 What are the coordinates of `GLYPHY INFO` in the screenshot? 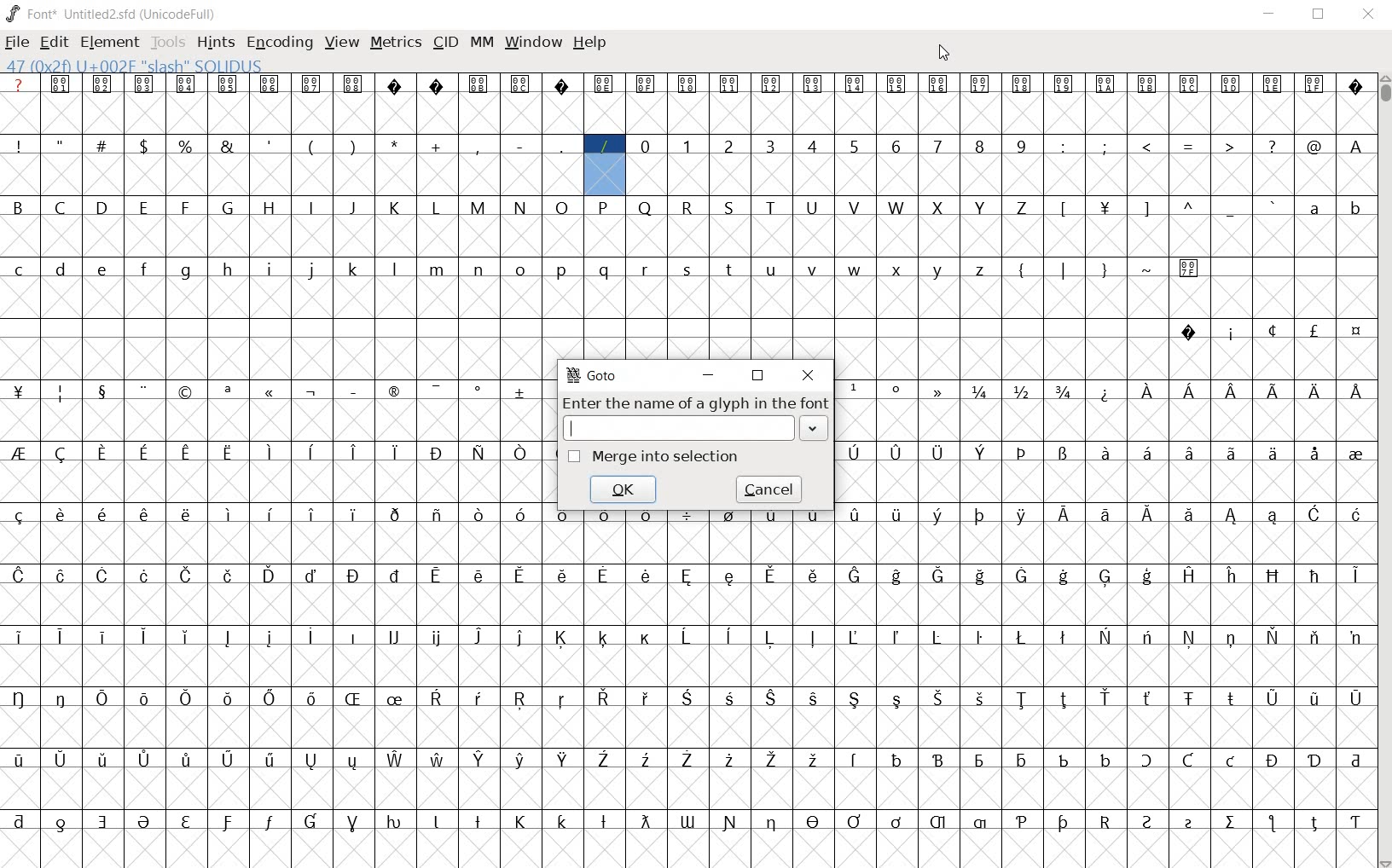 It's located at (142, 65).